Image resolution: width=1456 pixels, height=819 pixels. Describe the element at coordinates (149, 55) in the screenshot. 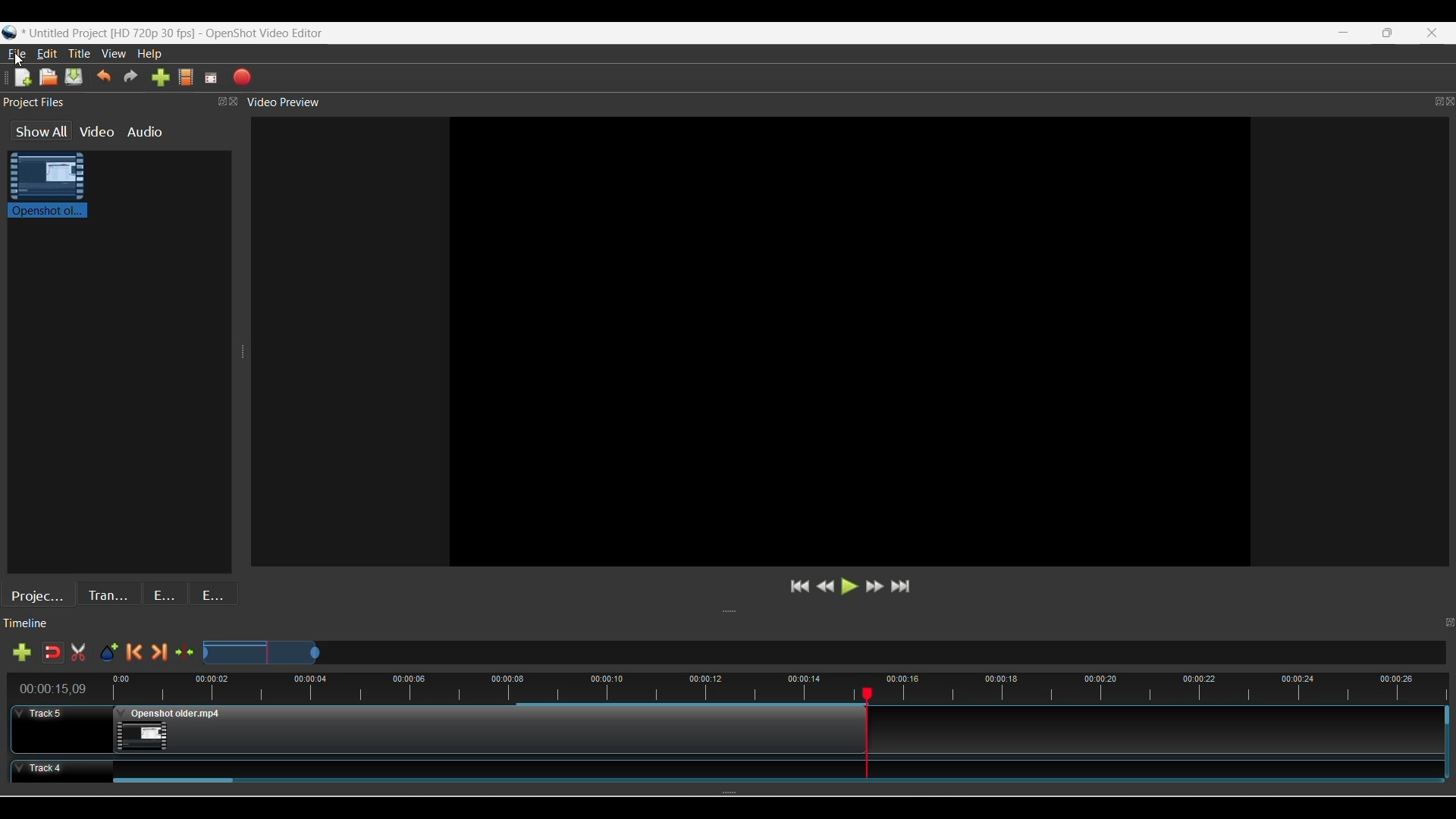

I see `Help` at that location.